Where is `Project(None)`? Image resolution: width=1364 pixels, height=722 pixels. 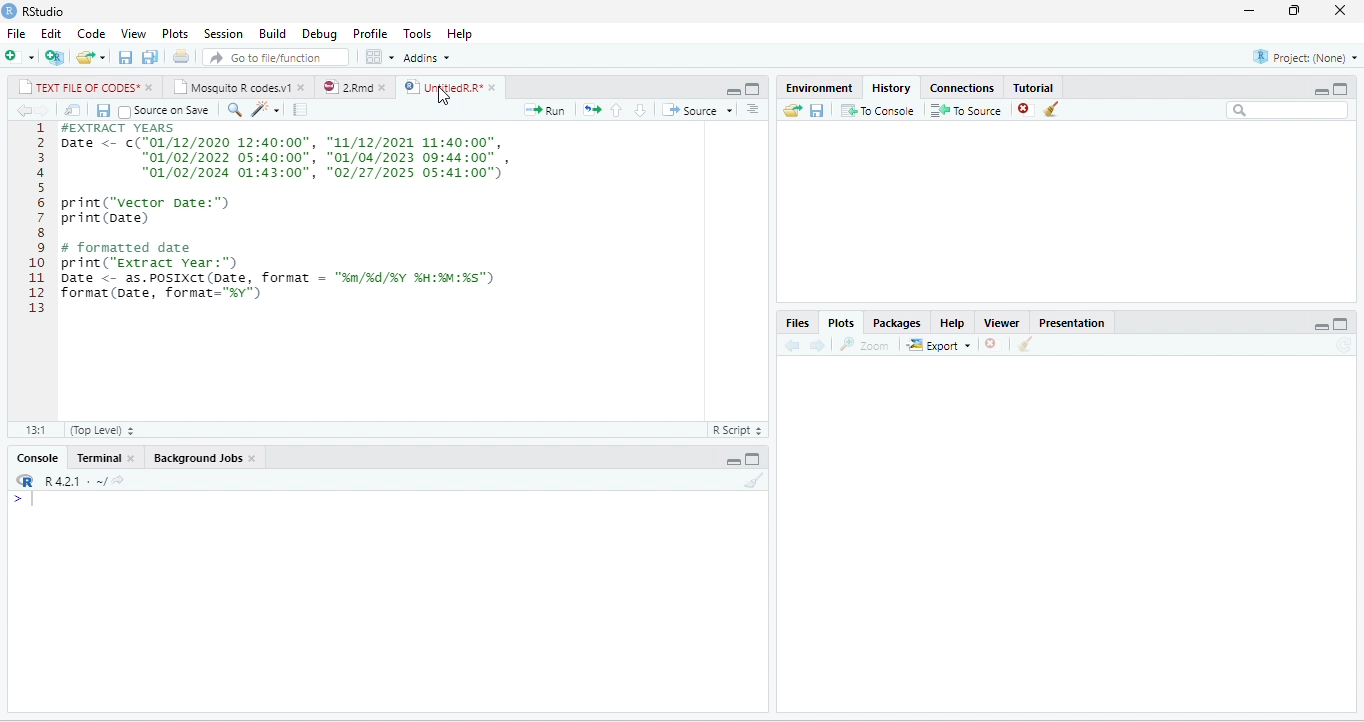 Project(None) is located at coordinates (1305, 57).